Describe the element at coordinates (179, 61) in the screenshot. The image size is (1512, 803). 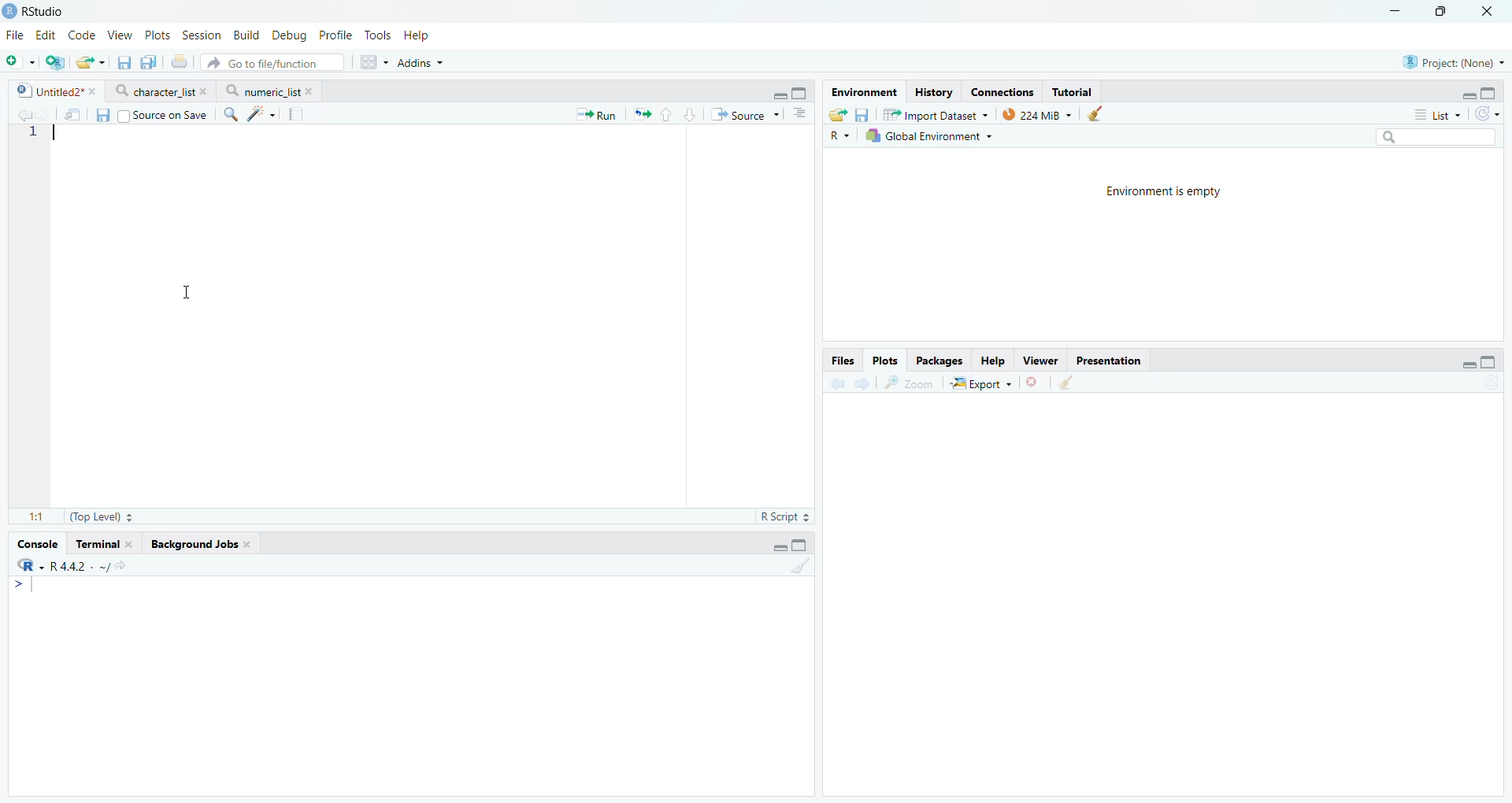
I see `Print` at that location.